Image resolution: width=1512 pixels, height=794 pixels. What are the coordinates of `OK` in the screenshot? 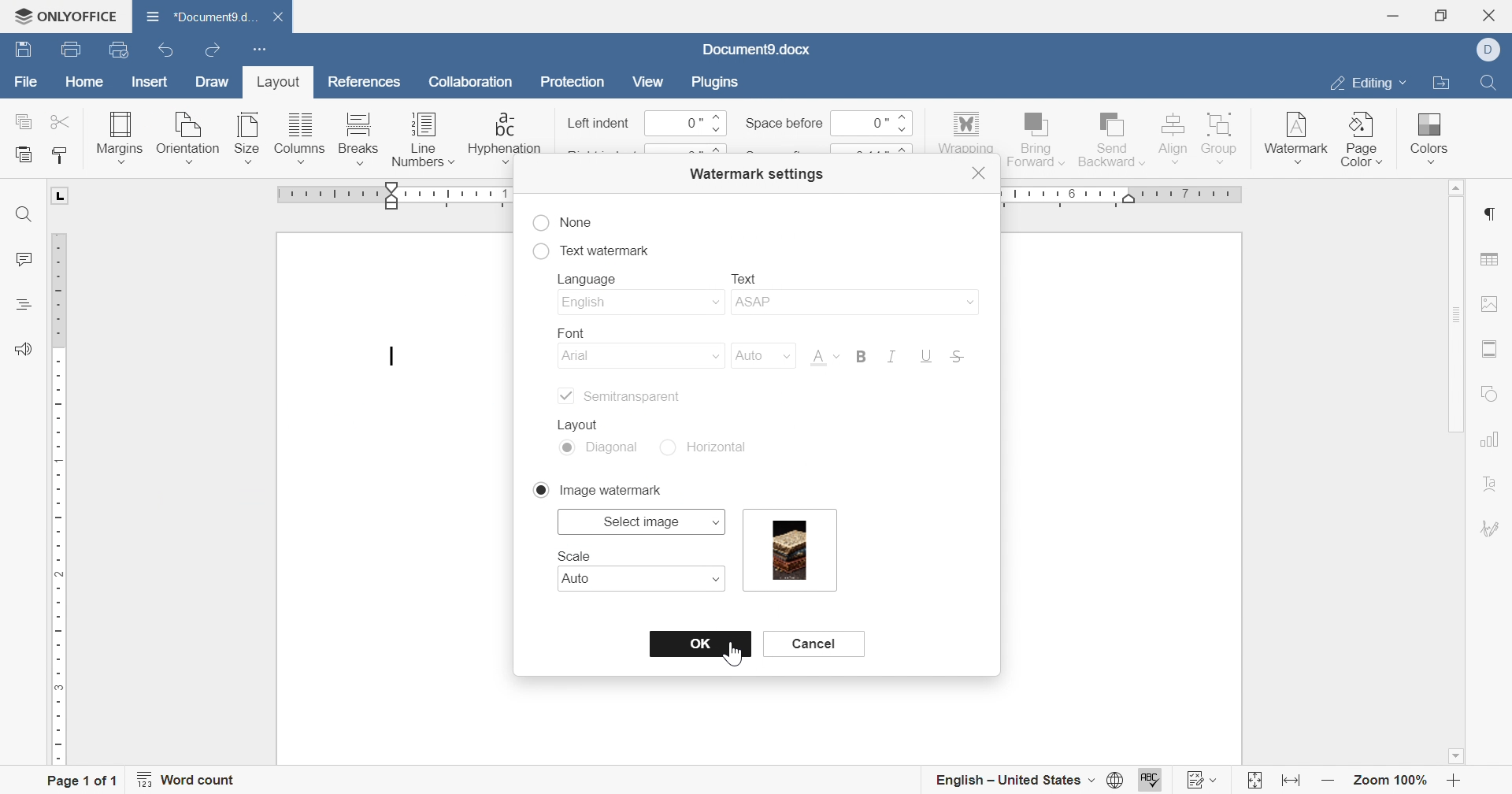 It's located at (699, 644).